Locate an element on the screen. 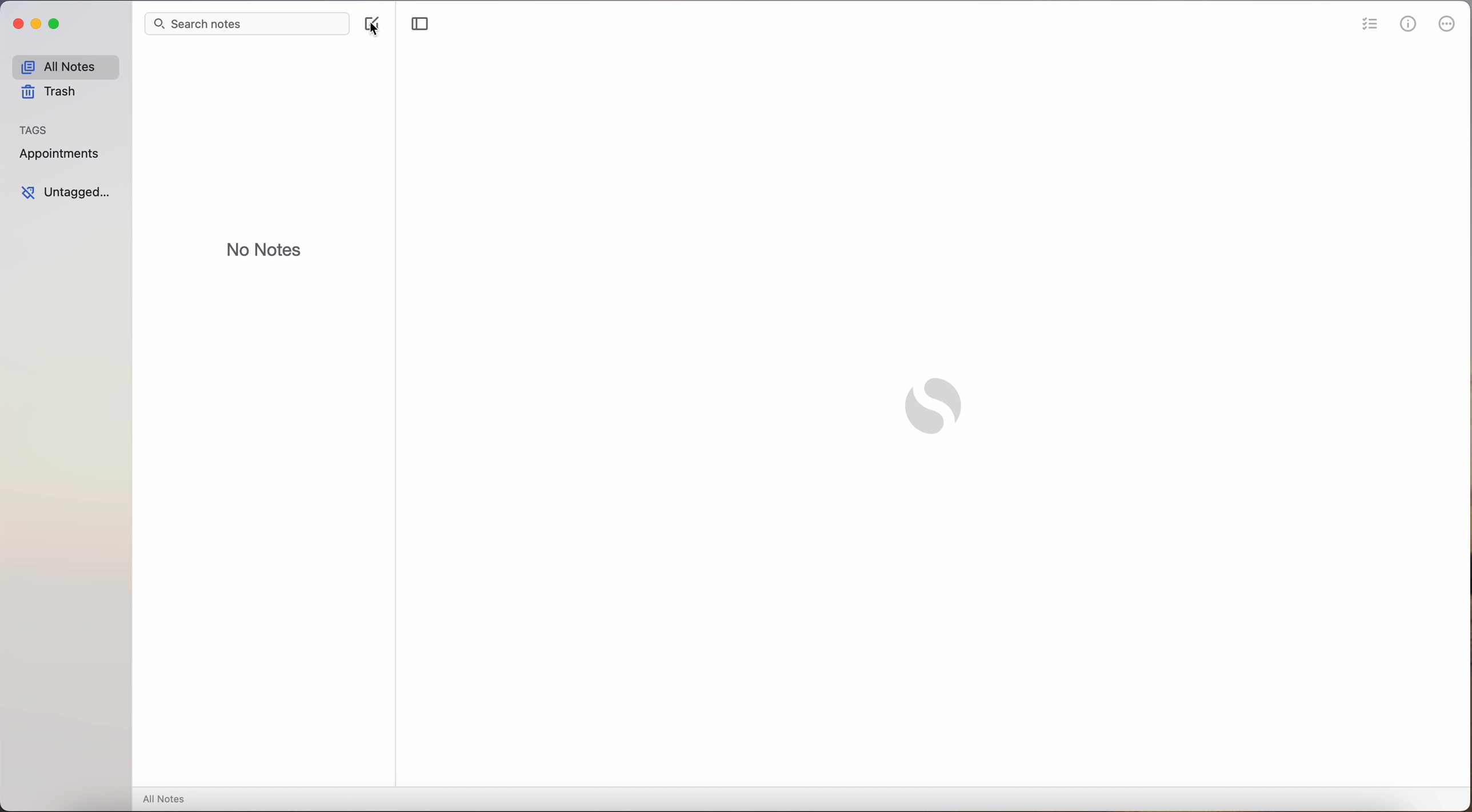  metrics is located at coordinates (1407, 24).